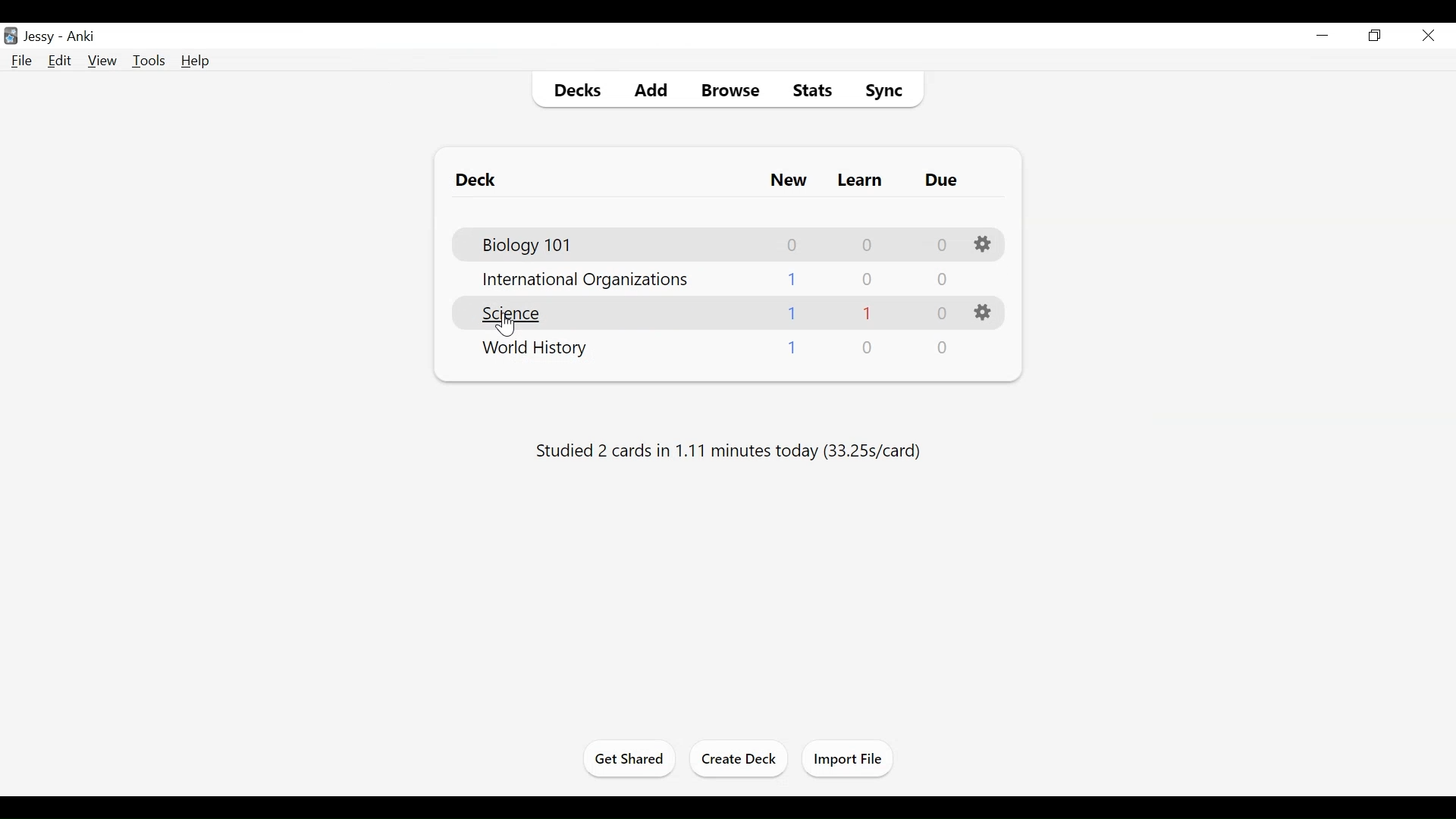  Describe the element at coordinates (579, 91) in the screenshot. I see `Decks` at that location.